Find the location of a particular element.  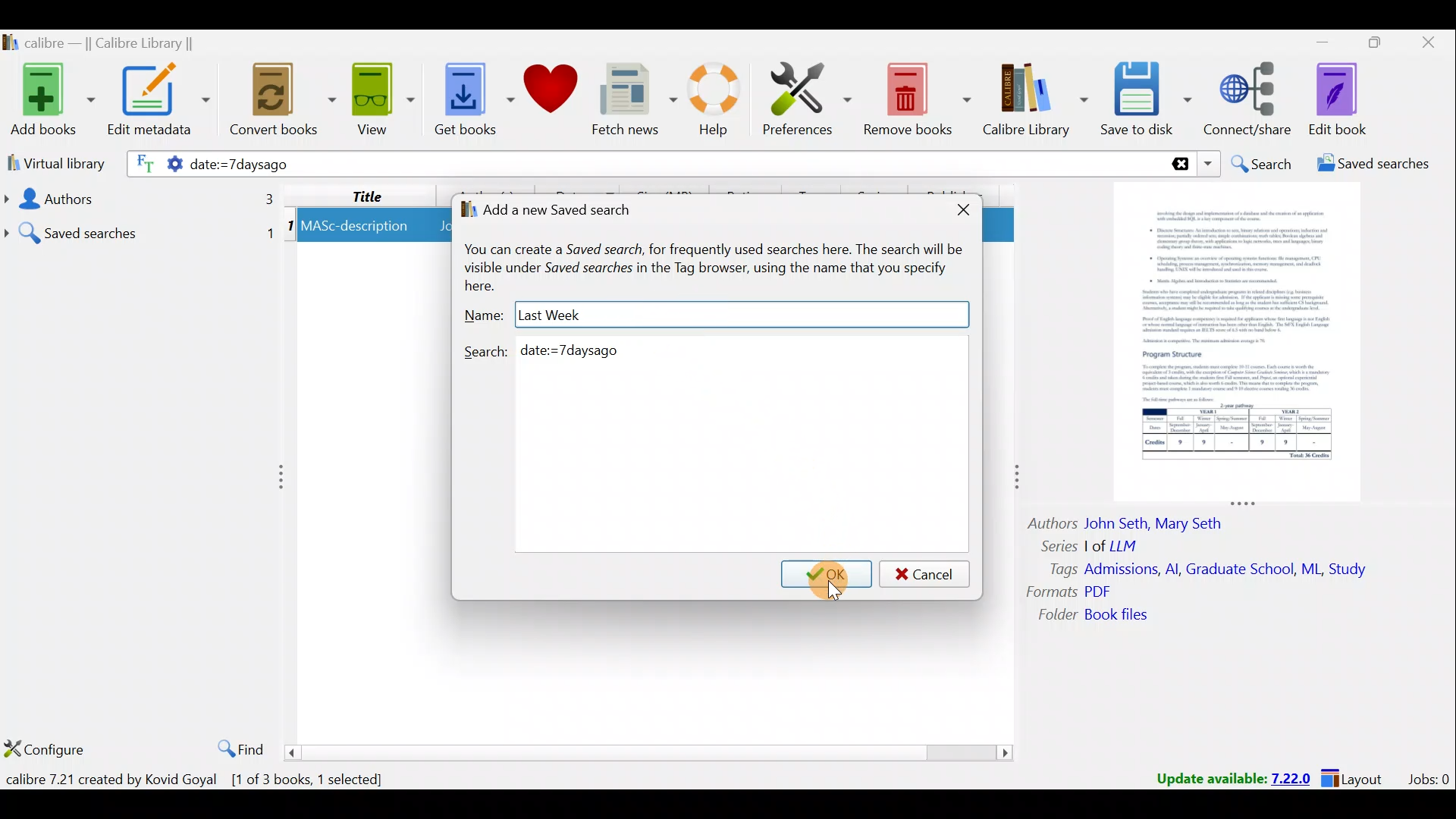

Add a new saved search is located at coordinates (563, 207).